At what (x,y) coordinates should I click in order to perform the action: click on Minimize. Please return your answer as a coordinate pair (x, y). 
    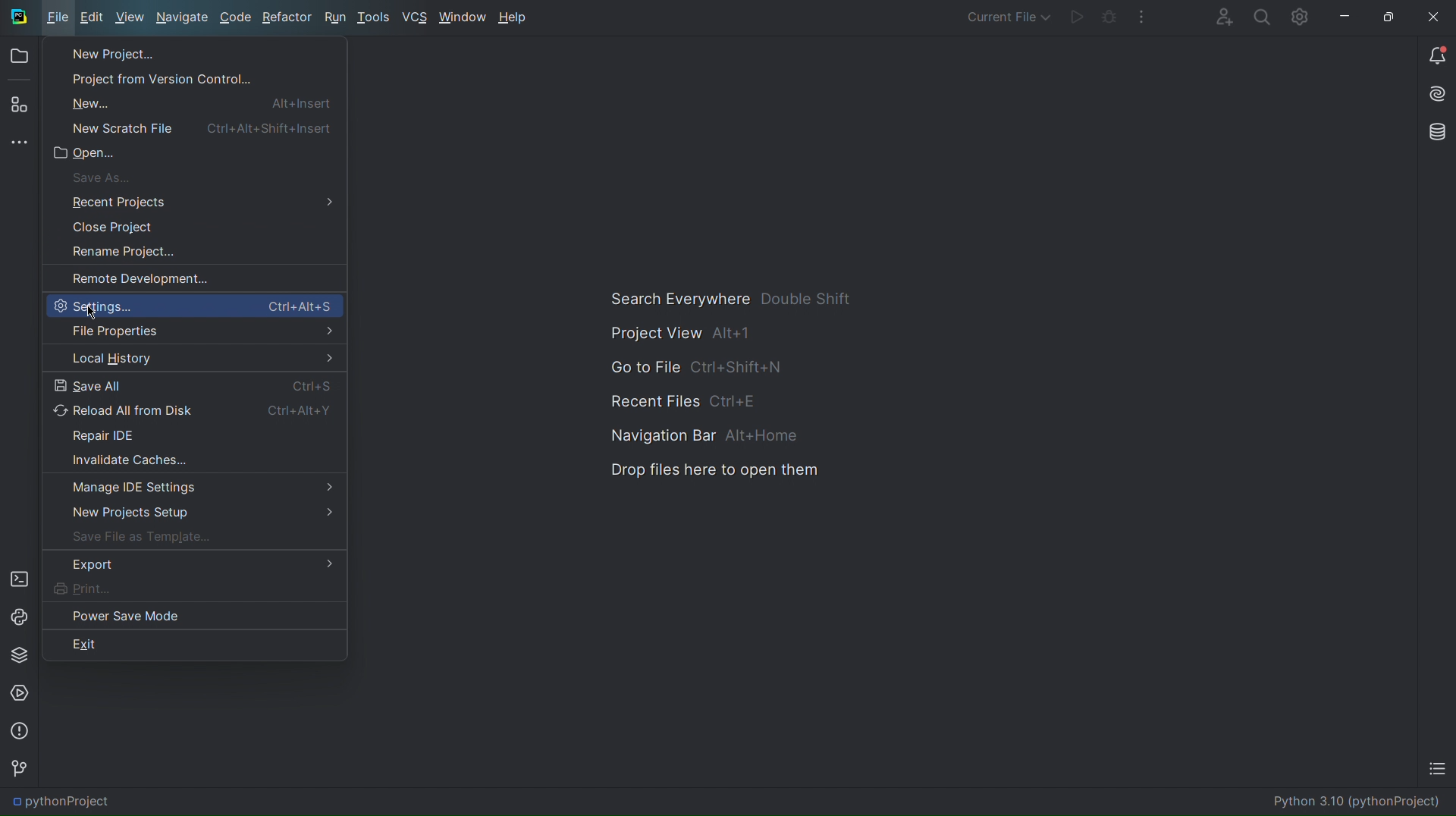
    Looking at the image, I should click on (1343, 16).